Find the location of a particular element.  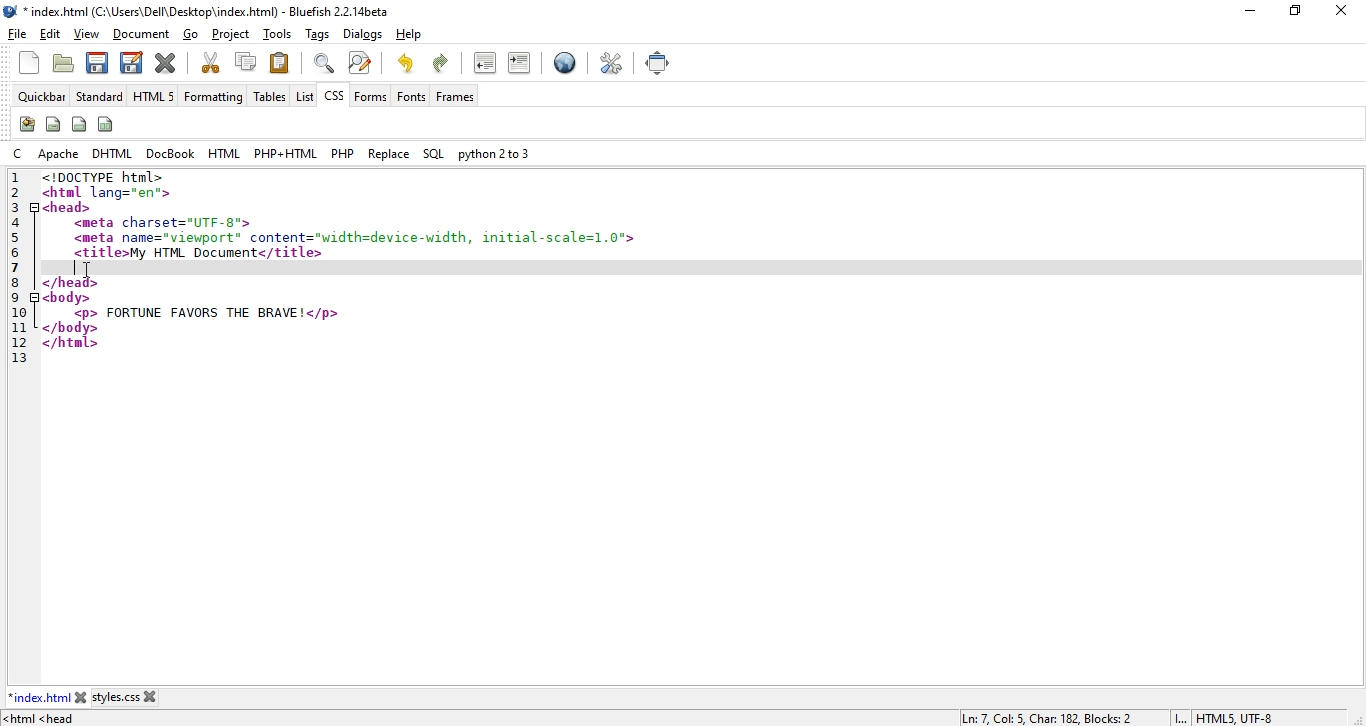

<meta charset="UTF-8"> is located at coordinates (167, 223).